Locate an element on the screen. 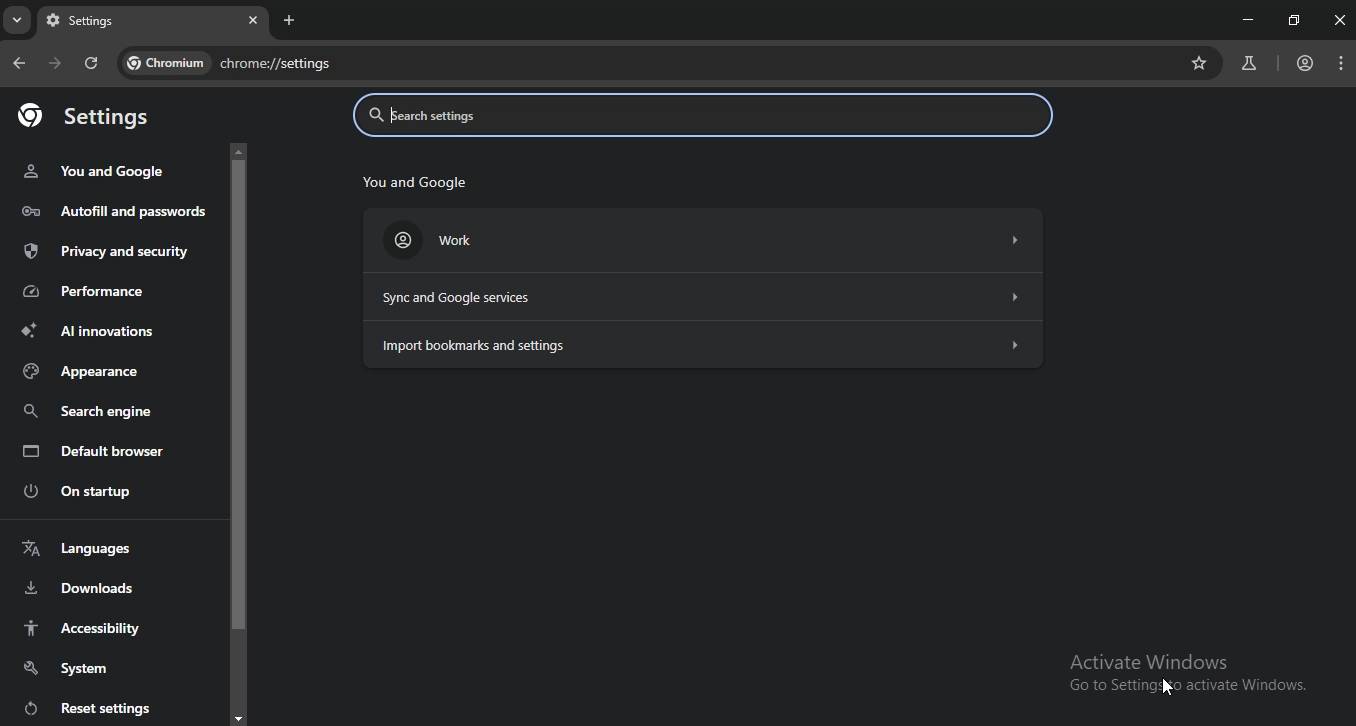 Image resolution: width=1356 pixels, height=726 pixels. customize and control chromium is located at coordinates (1342, 64).